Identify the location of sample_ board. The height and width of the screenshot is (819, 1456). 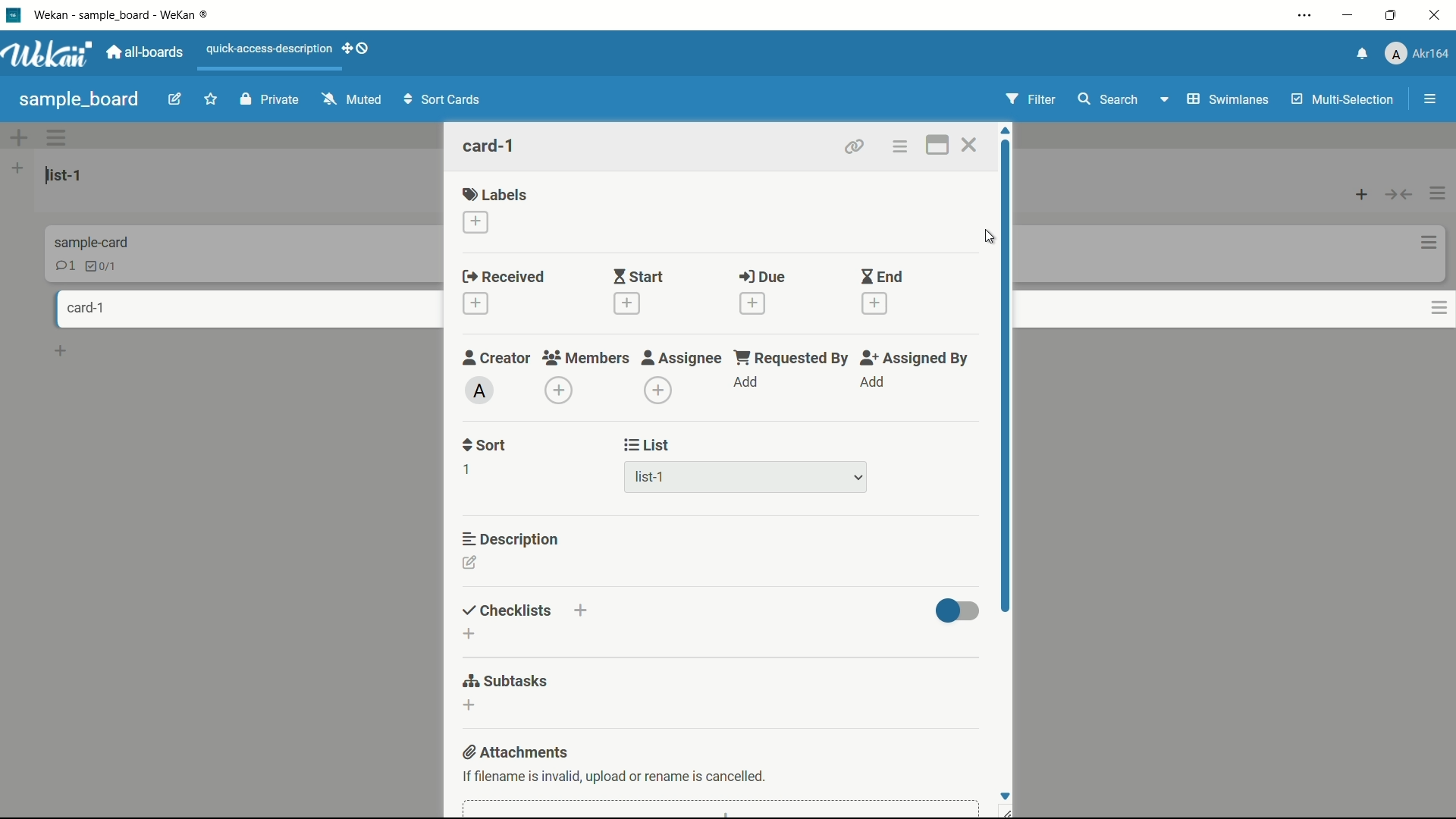
(80, 99).